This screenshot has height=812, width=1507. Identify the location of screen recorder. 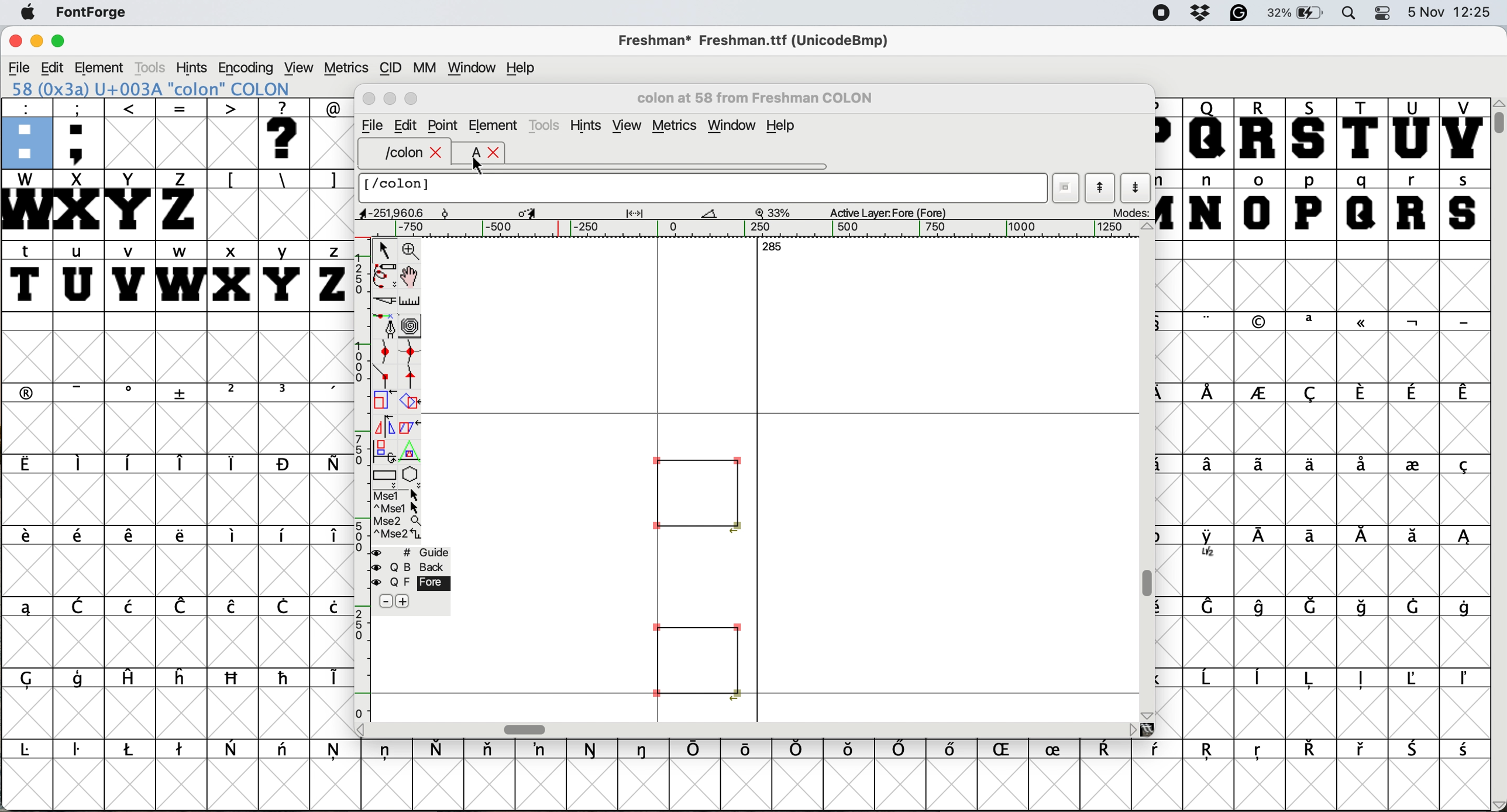
(1159, 13).